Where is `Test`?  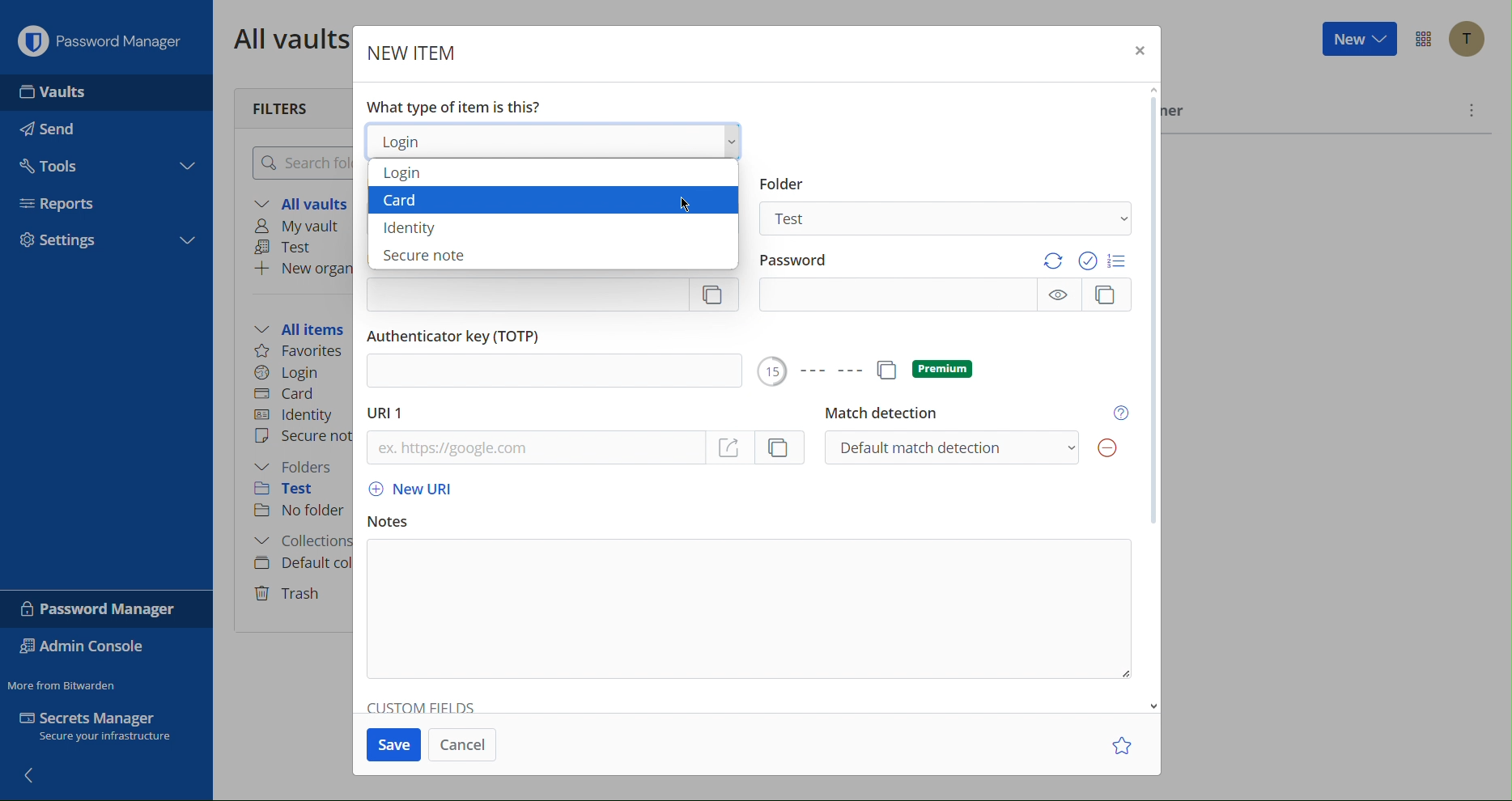 Test is located at coordinates (289, 246).